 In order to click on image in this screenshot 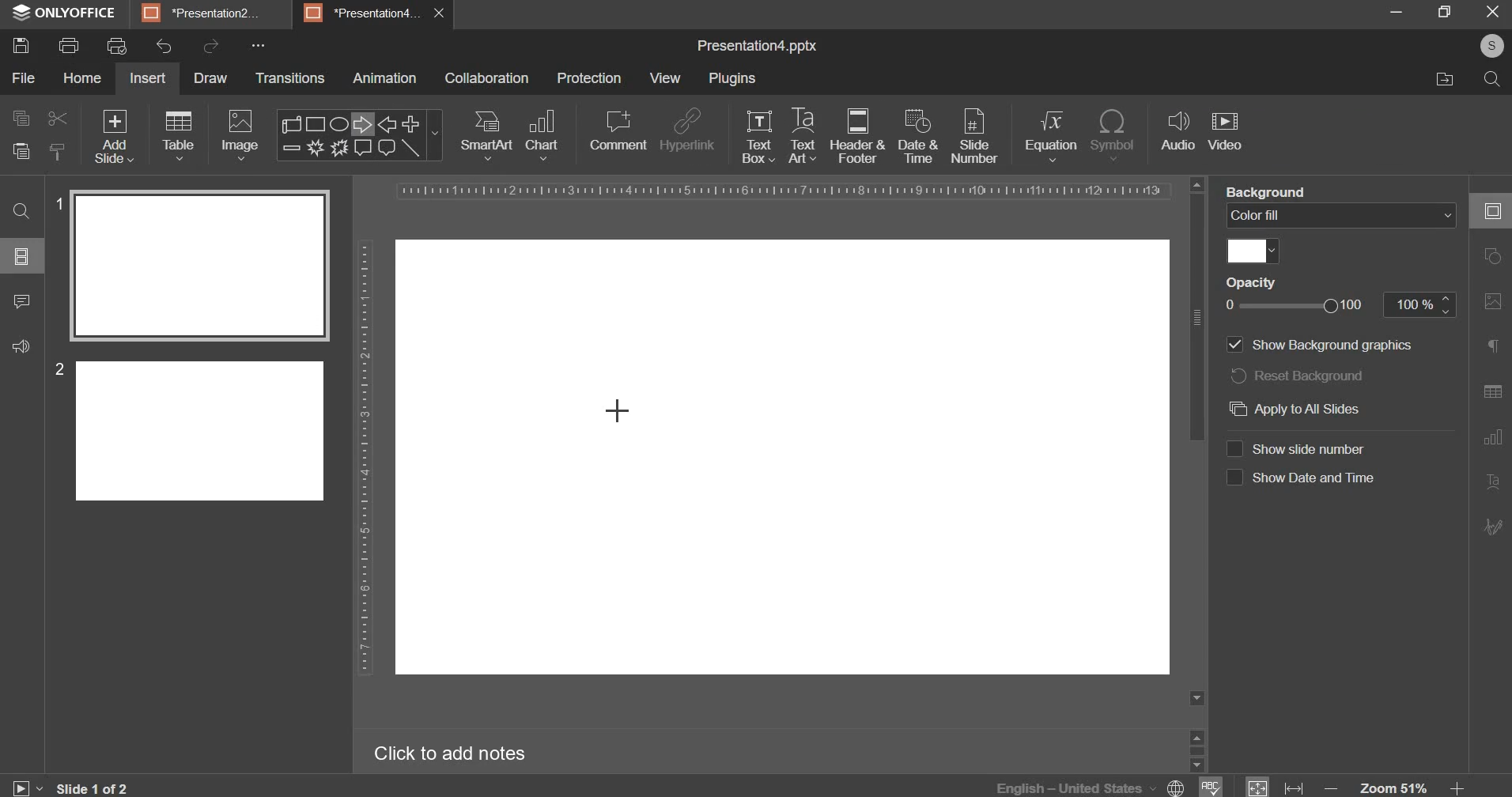, I will do `click(239, 135)`.